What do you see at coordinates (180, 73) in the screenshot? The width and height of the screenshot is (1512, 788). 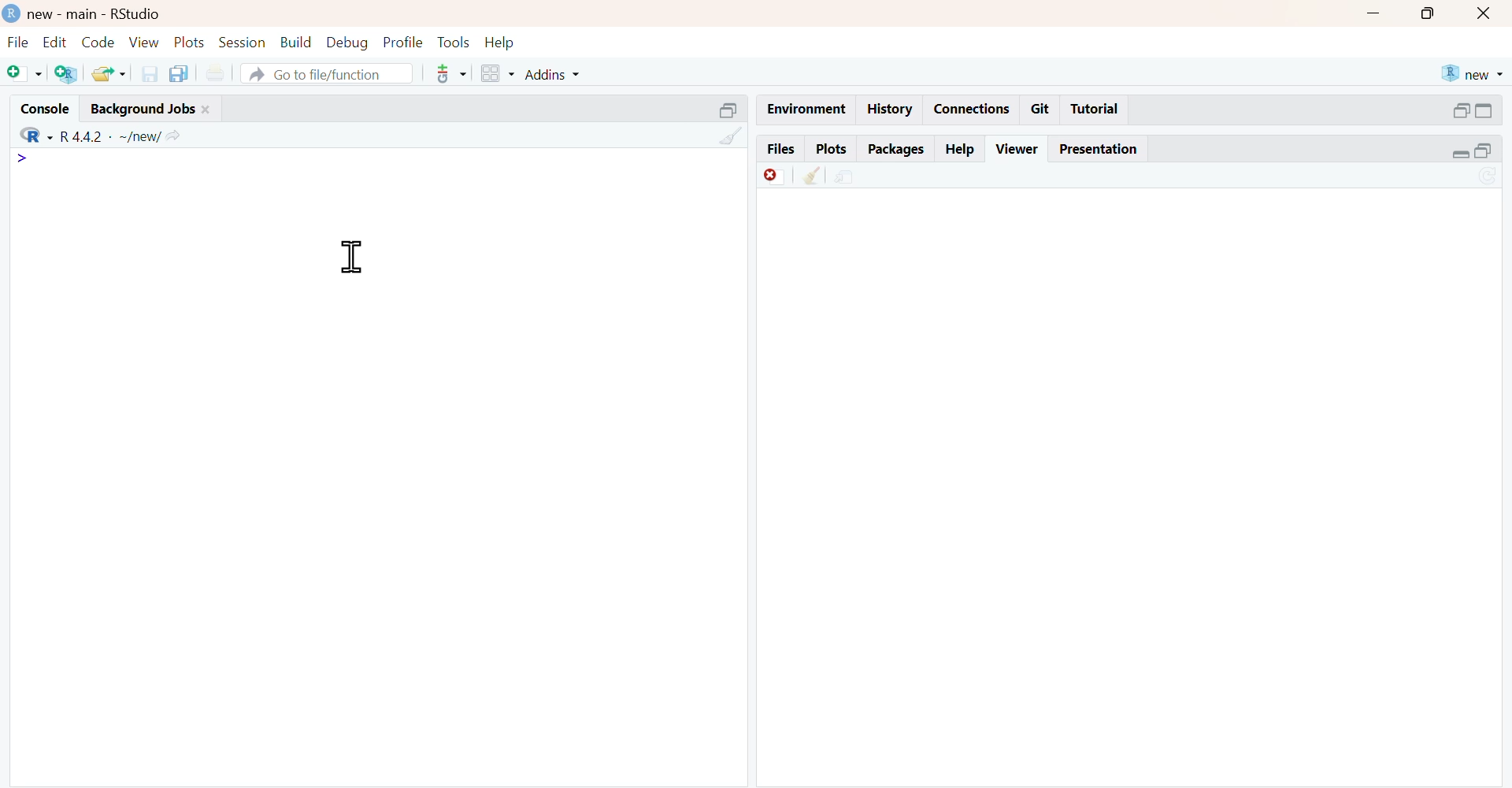 I see `copy` at bounding box center [180, 73].